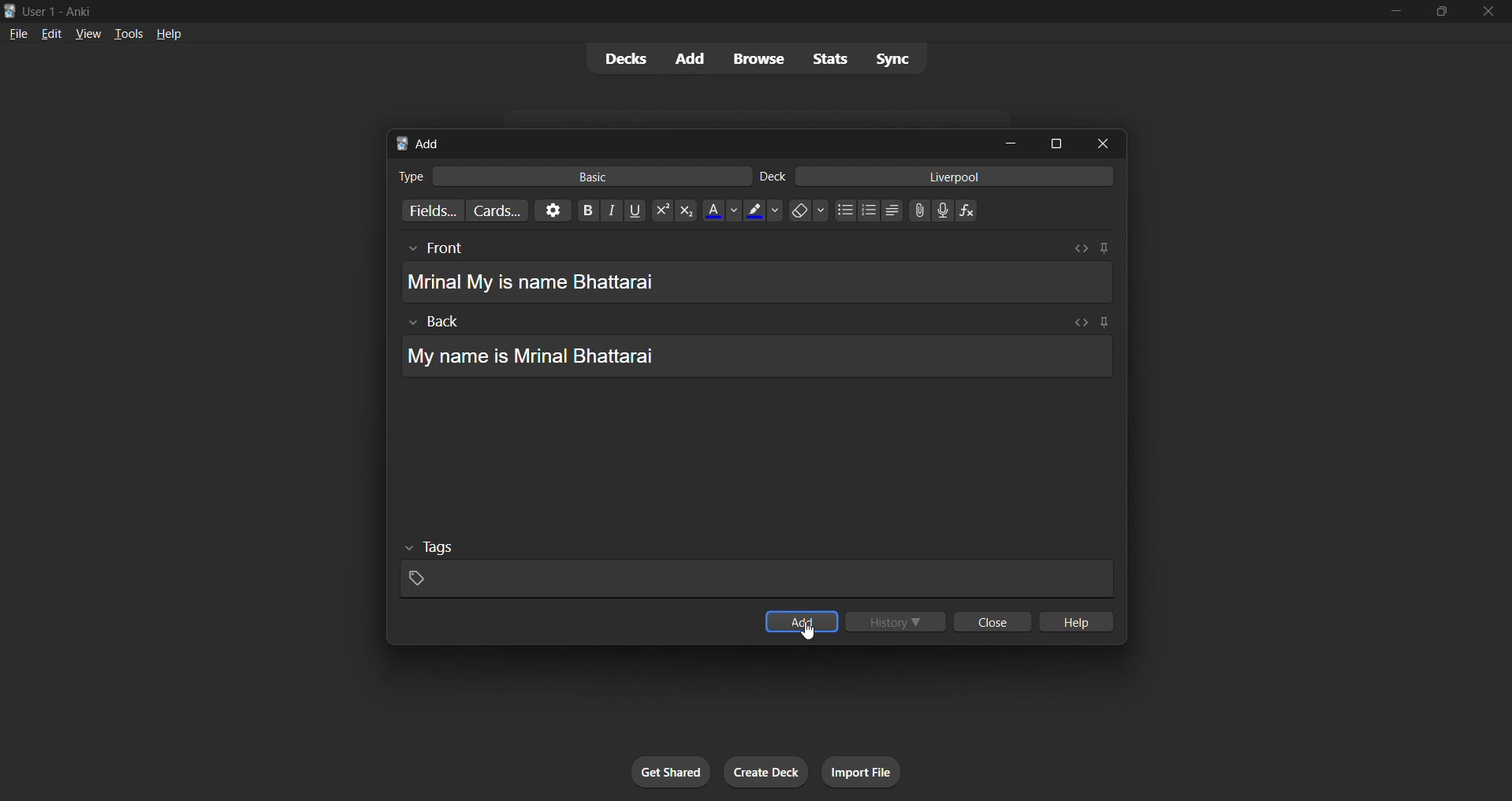 The height and width of the screenshot is (801, 1512). What do you see at coordinates (1004, 142) in the screenshot?
I see `minimize` at bounding box center [1004, 142].